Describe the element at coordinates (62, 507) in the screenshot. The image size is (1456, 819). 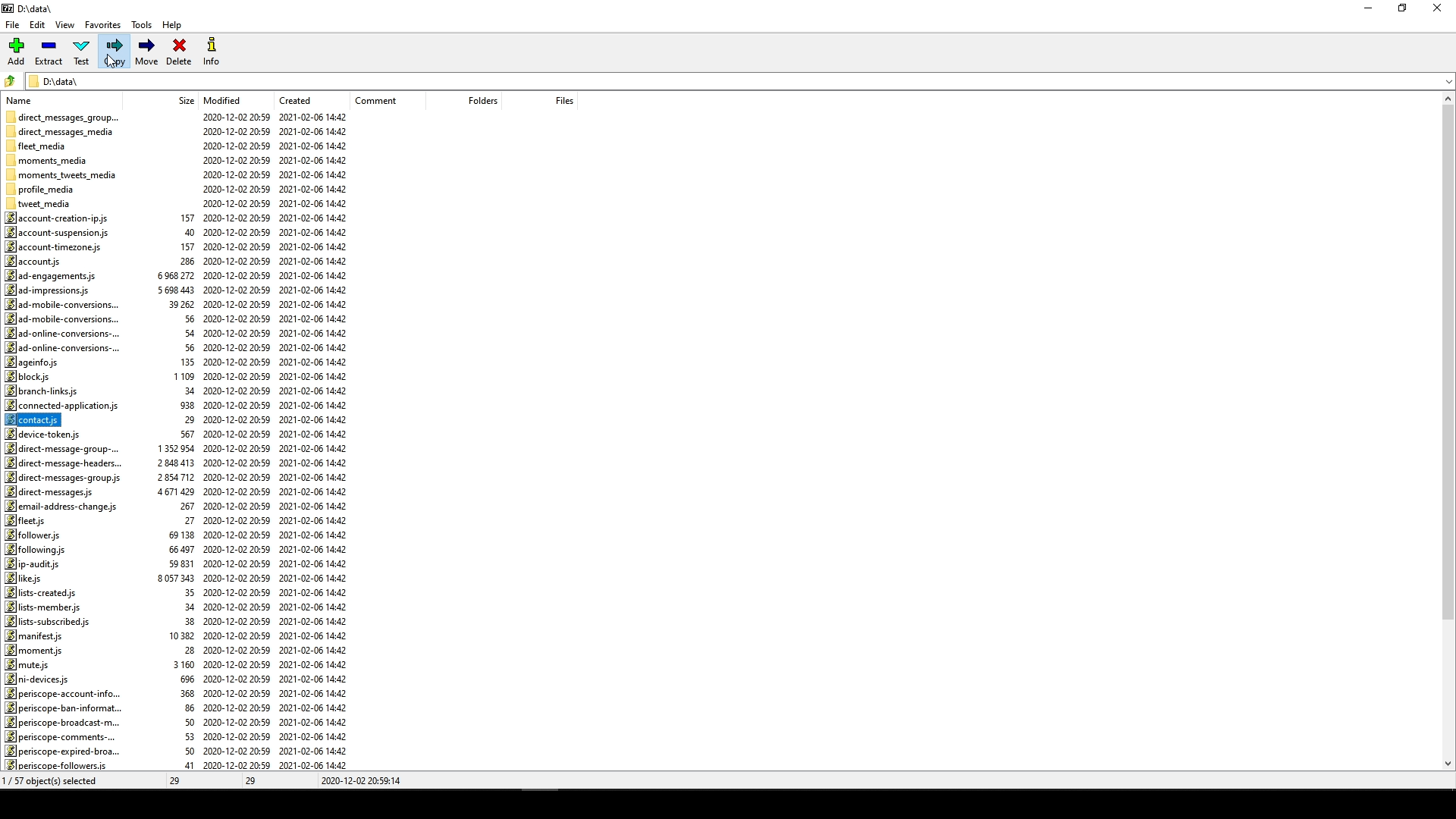
I see `email-address-change.js` at that location.